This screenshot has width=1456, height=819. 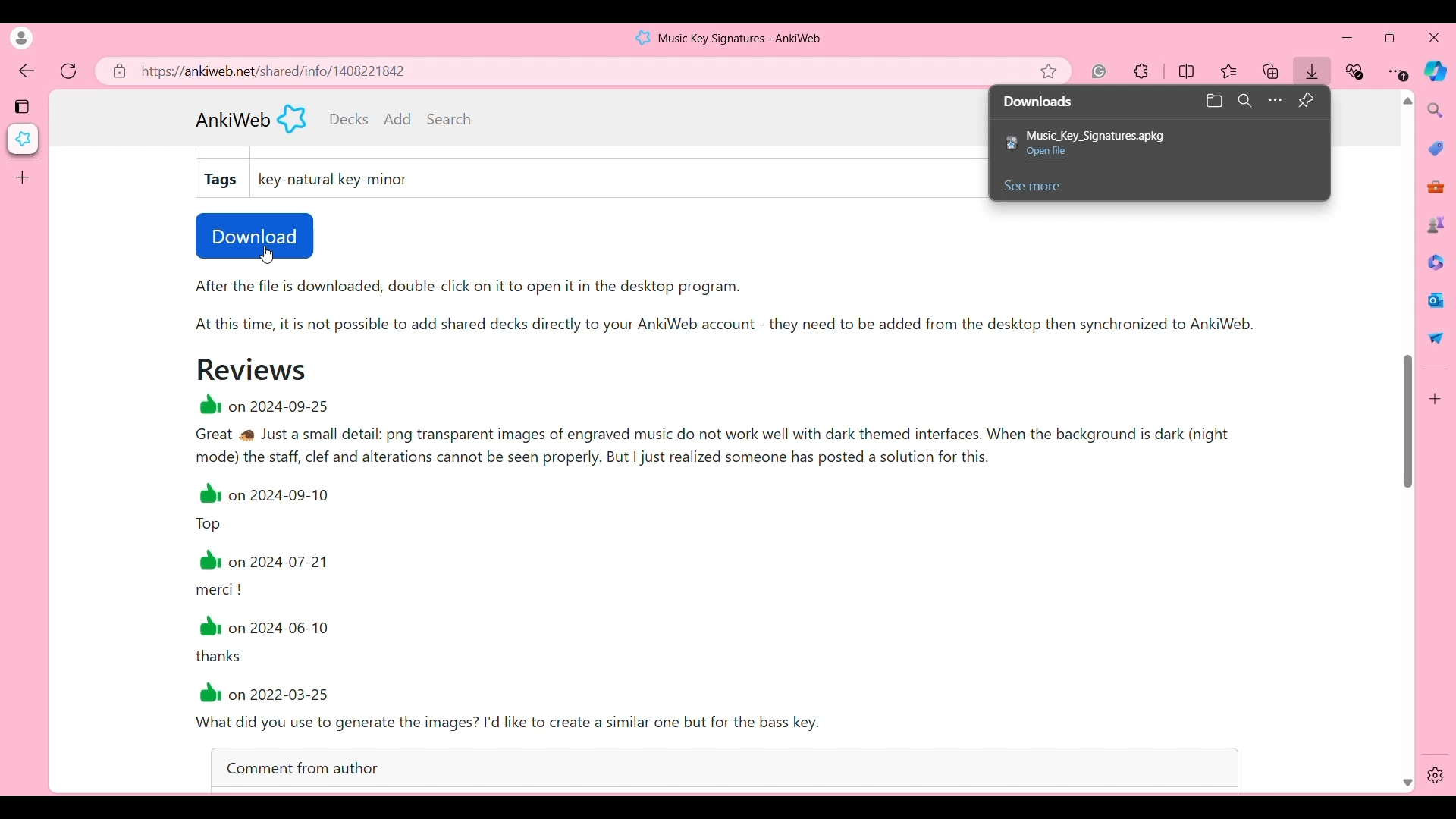 What do you see at coordinates (1046, 71) in the screenshot?
I see `Add current page to favorites` at bounding box center [1046, 71].